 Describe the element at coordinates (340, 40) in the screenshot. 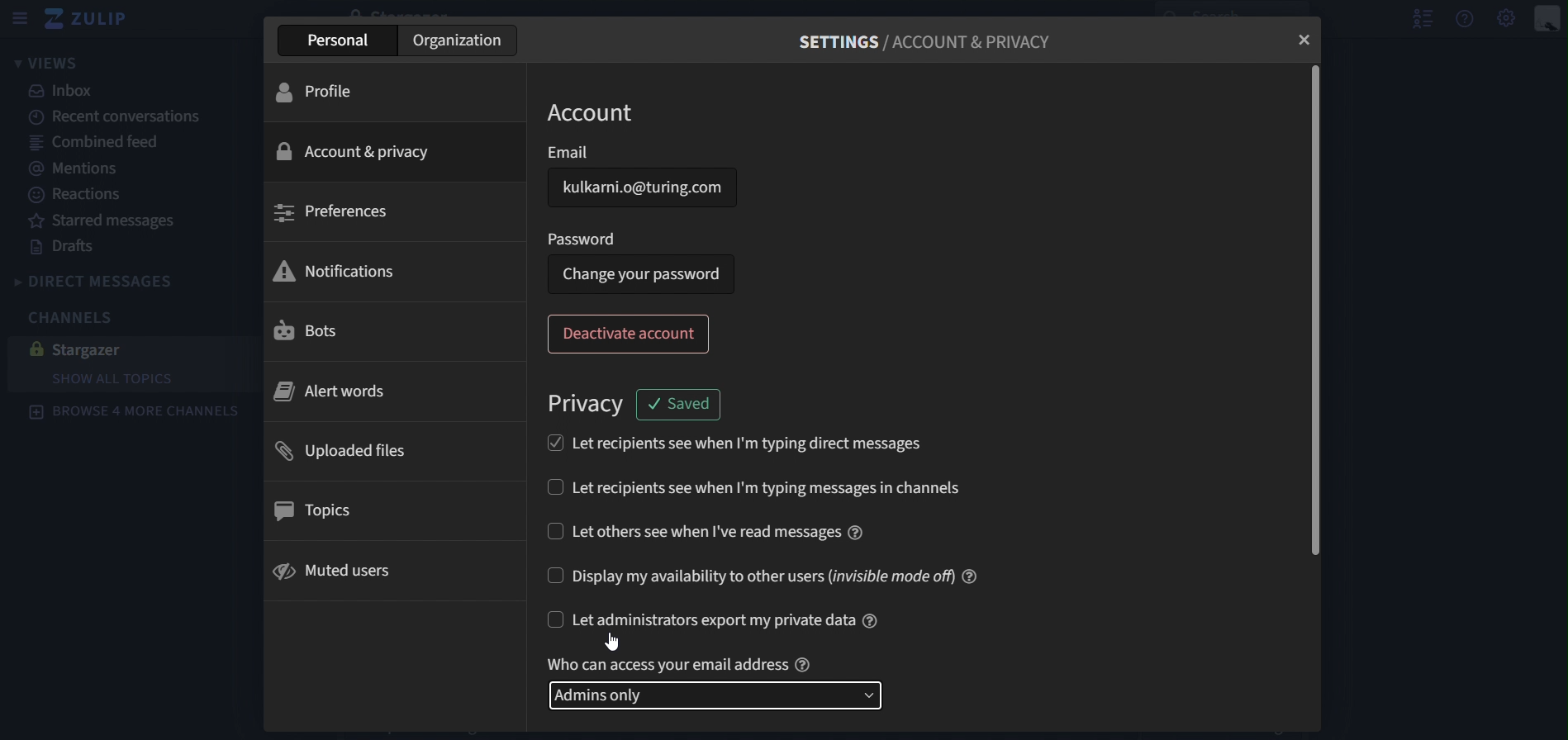

I see `personal` at that location.